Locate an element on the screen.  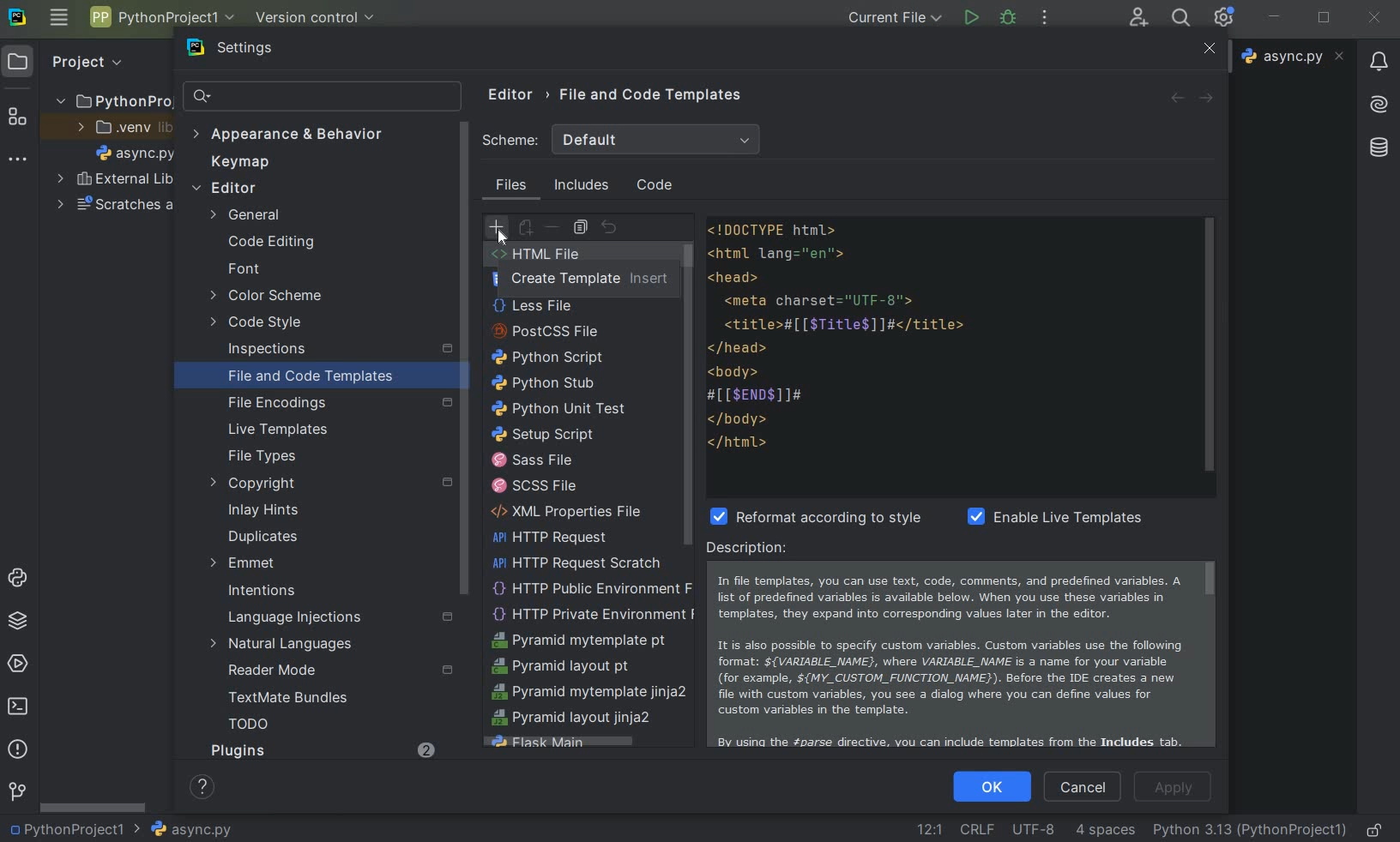
HTTP Private Environment is located at coordinates (591, 614).